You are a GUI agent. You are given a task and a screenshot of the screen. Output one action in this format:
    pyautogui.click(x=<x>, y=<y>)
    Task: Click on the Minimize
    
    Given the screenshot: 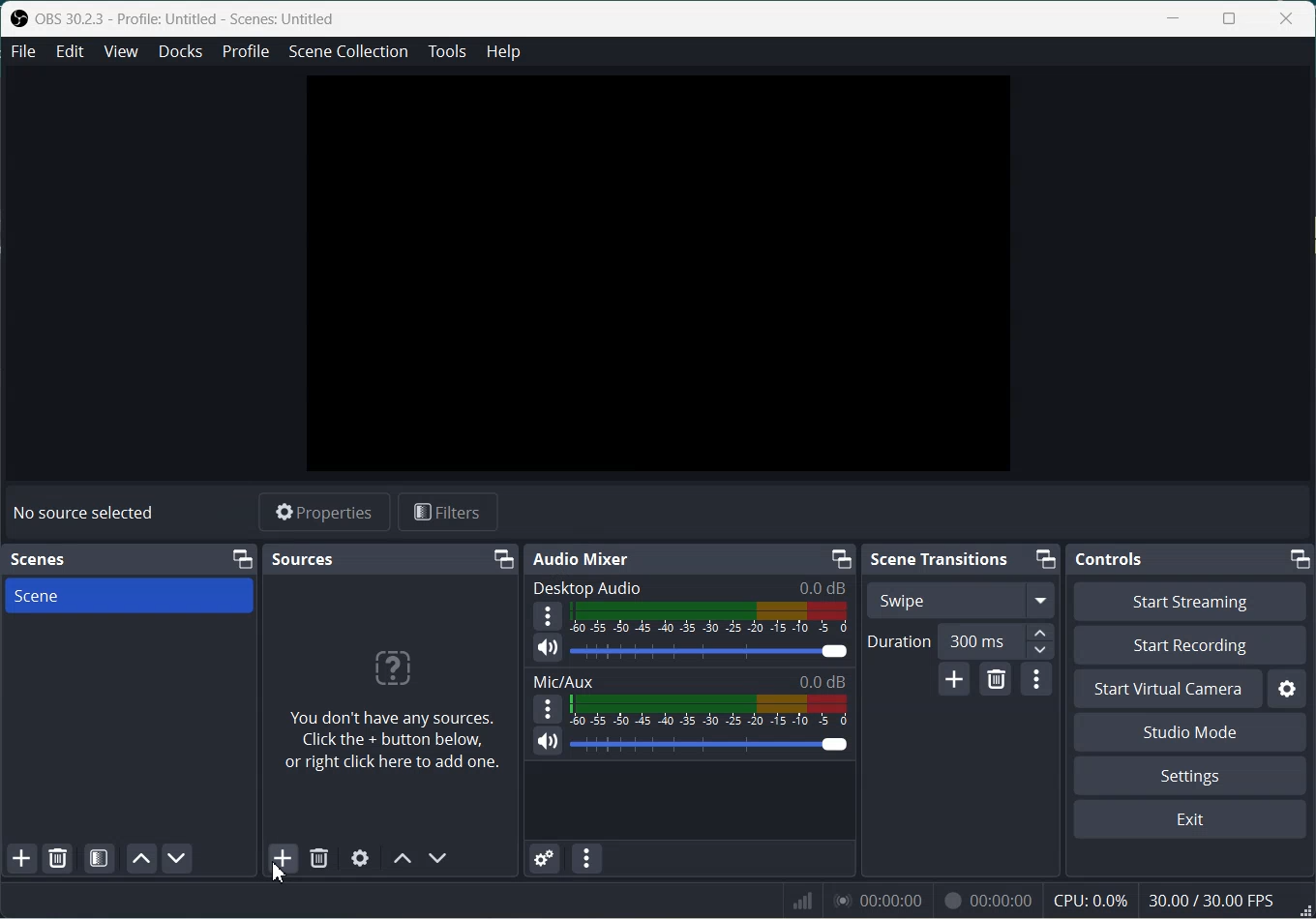 What is the action you would take?
    pyautogui.click(x=843, y=558)
    